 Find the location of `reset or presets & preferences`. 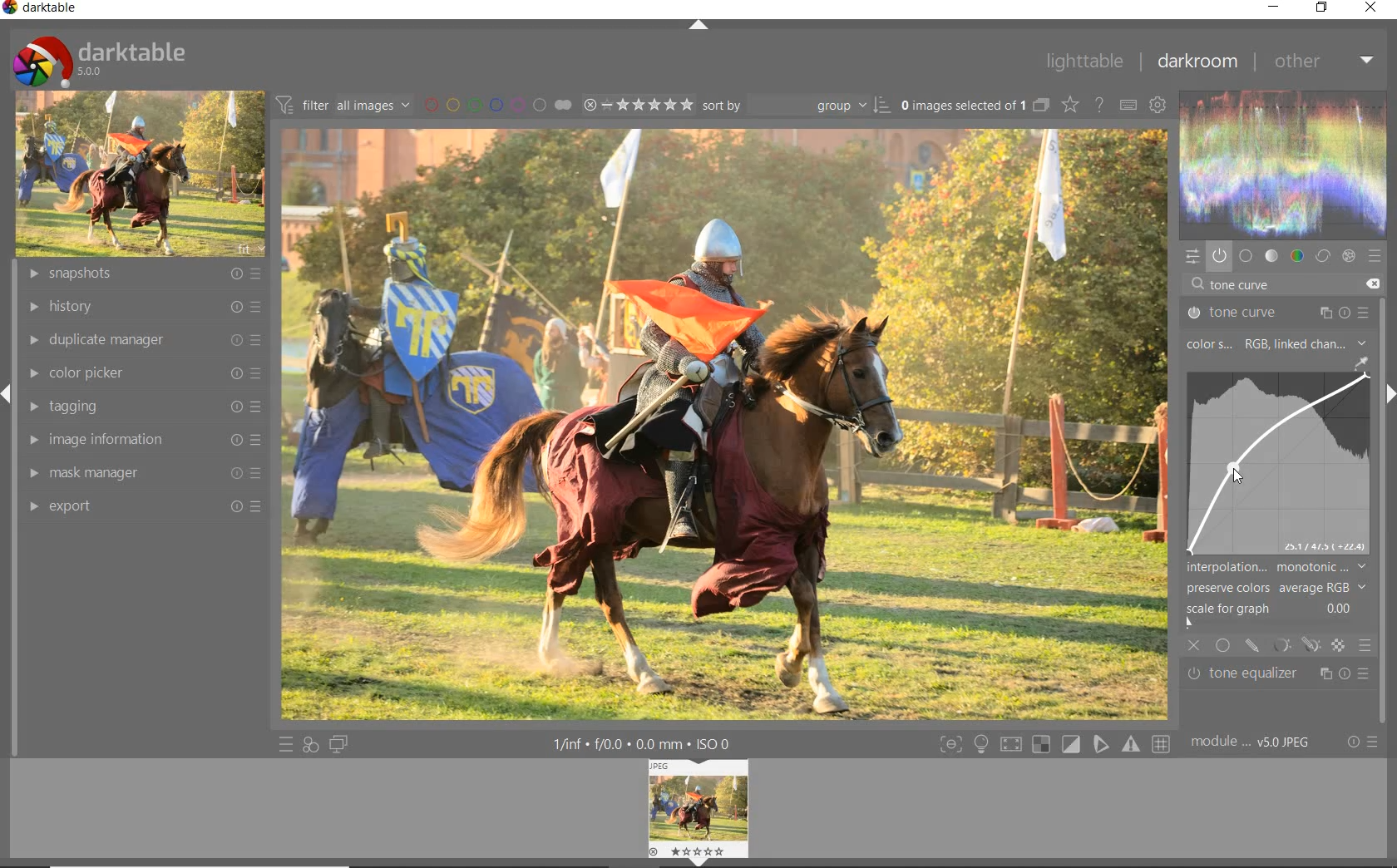

reset or presets & preferences is located at coordinates (1362, 743).